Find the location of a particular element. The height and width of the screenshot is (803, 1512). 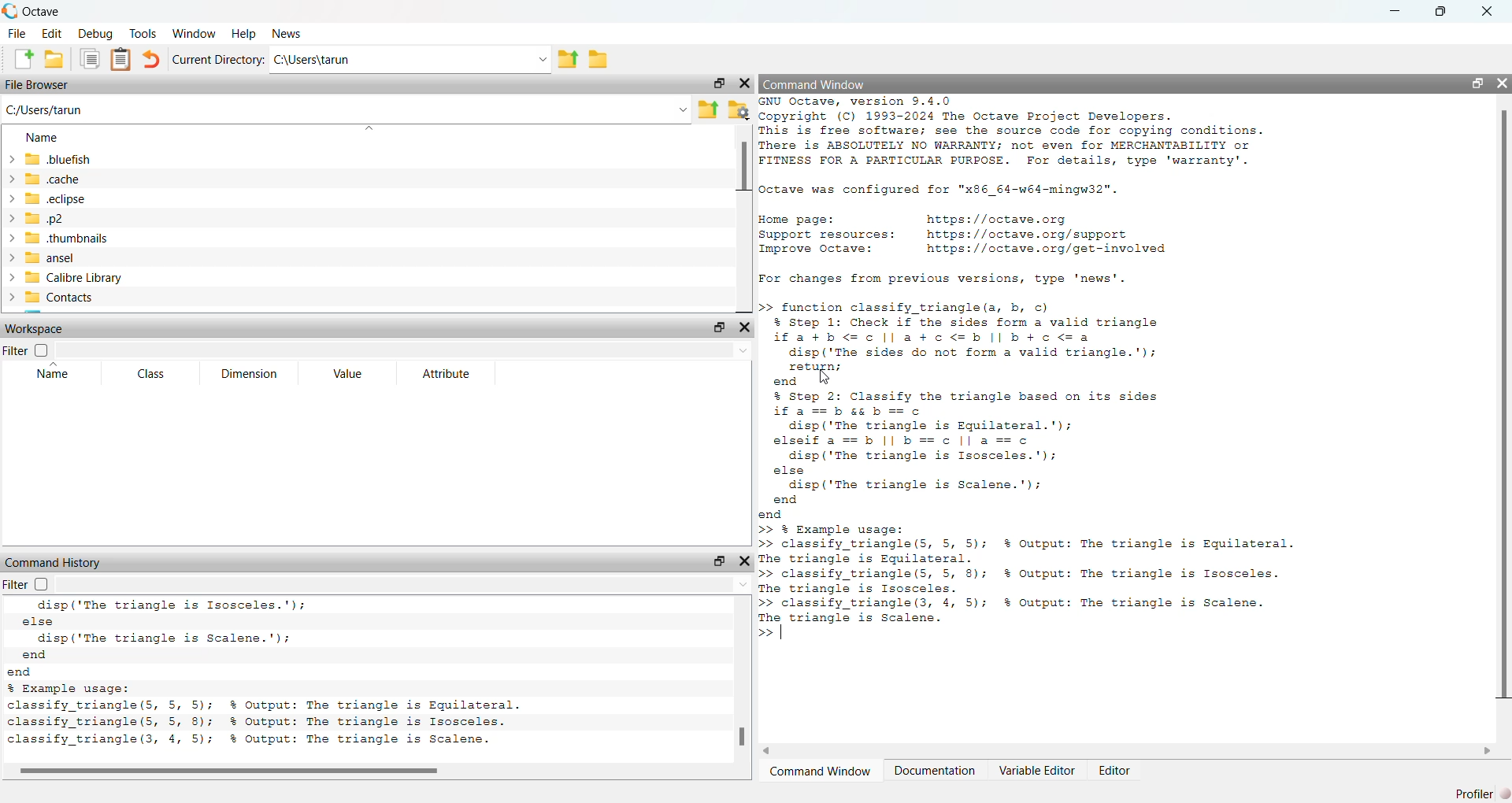

current directory is located at coordinates (220, 59).